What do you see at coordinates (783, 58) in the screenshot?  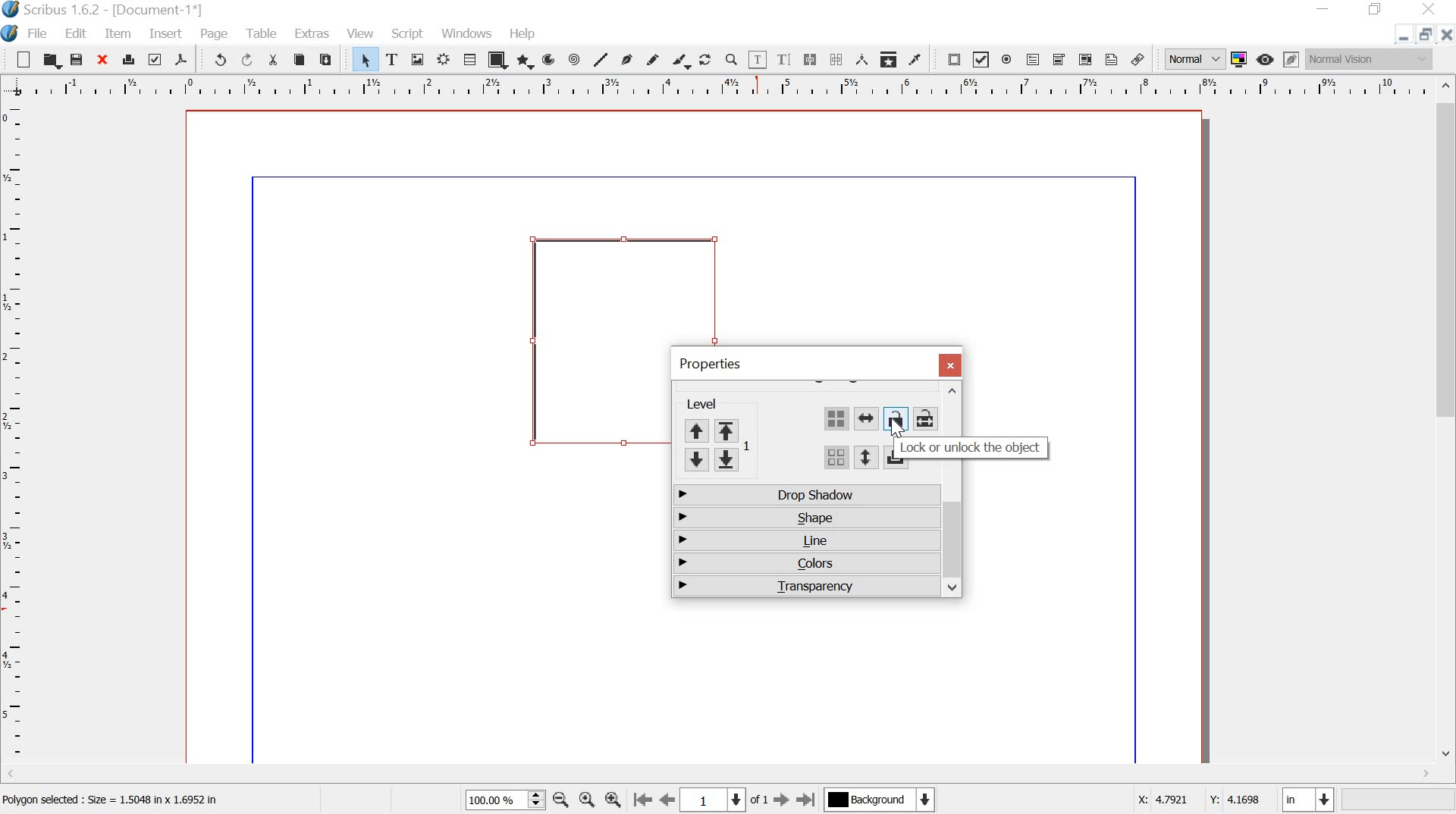 I see `edit text with story editor` at bounding box center [783, 58].